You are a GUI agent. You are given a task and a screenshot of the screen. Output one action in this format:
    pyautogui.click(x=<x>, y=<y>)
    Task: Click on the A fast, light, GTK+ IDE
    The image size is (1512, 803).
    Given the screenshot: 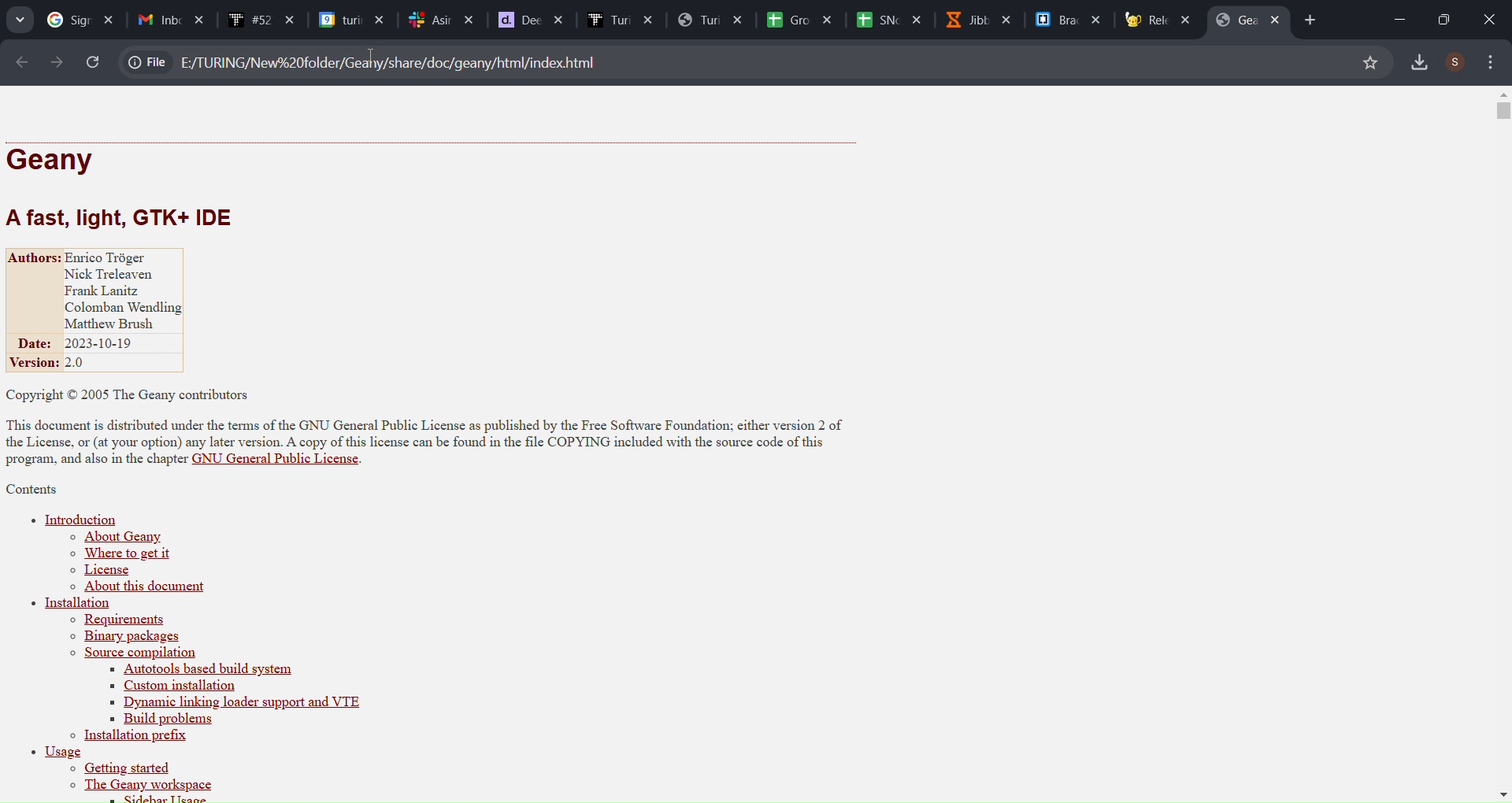 What is the action you would take?
    pyautogui.click(x=131, y=216)
    